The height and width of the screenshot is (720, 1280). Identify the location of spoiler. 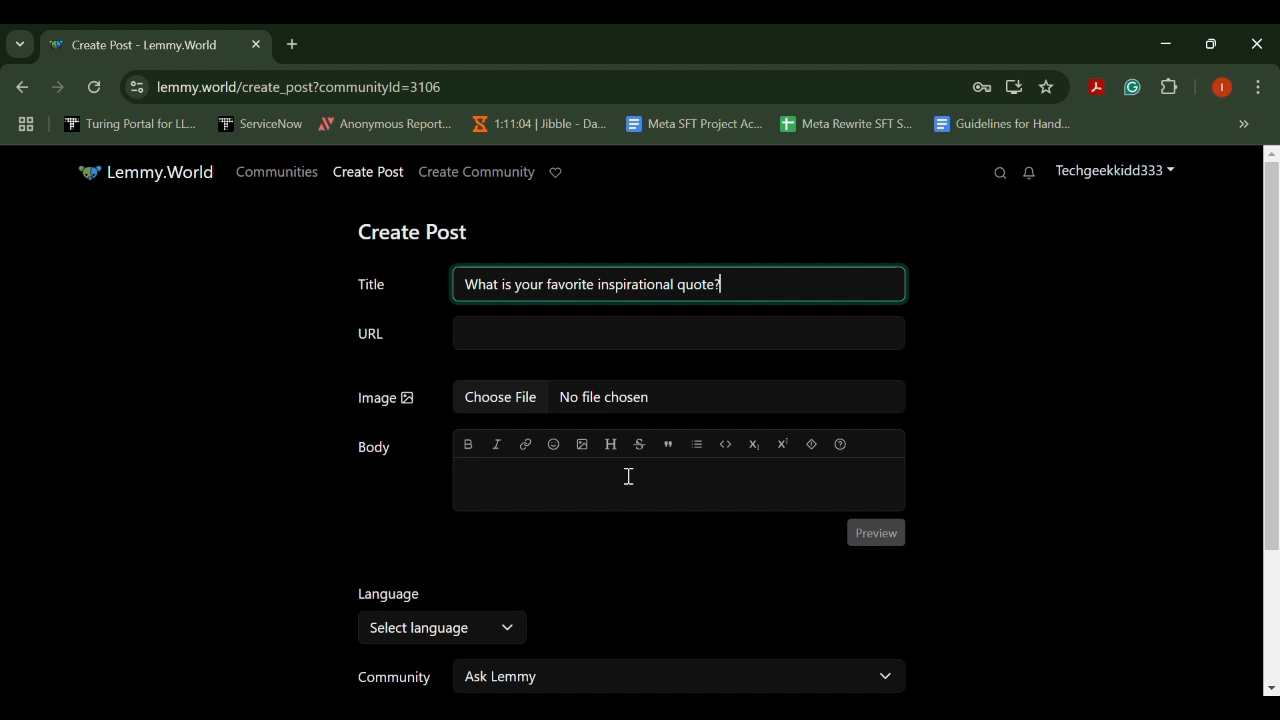
(811, 443).